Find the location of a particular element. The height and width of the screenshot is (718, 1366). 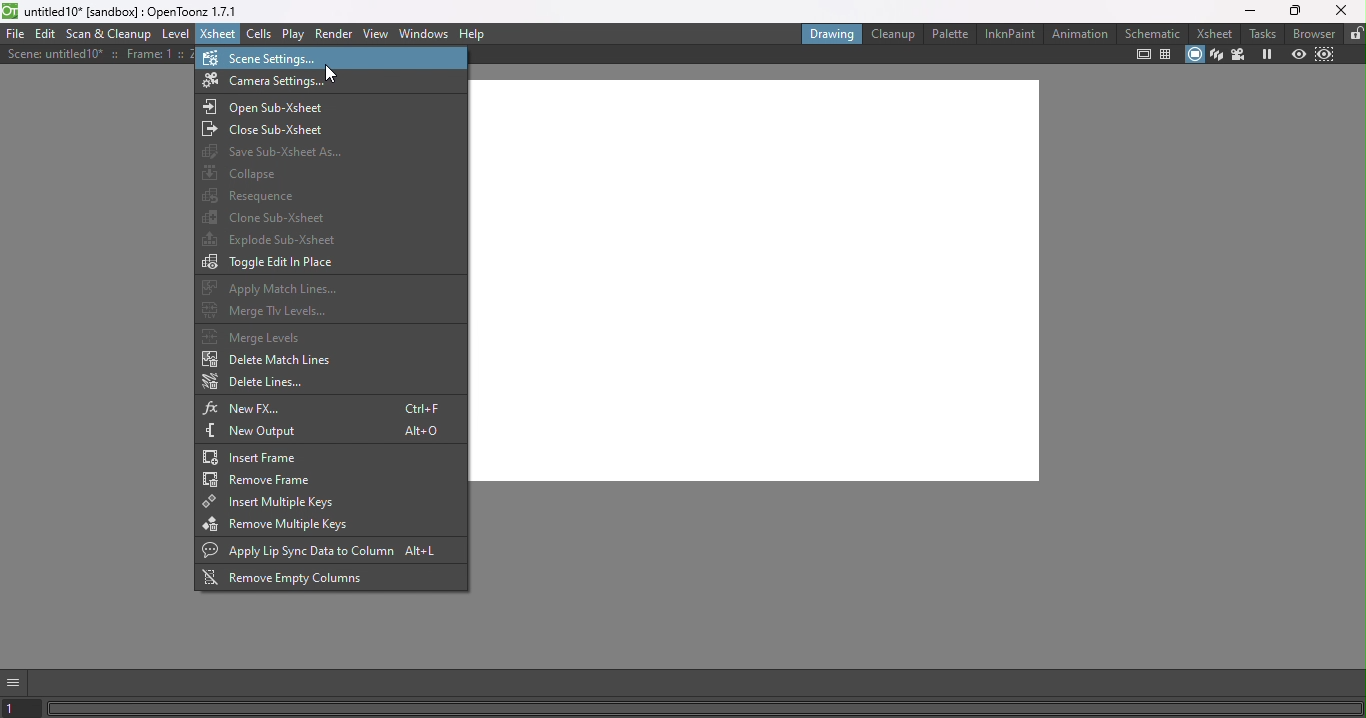

Xsheet is located at coordinates (216, 34).